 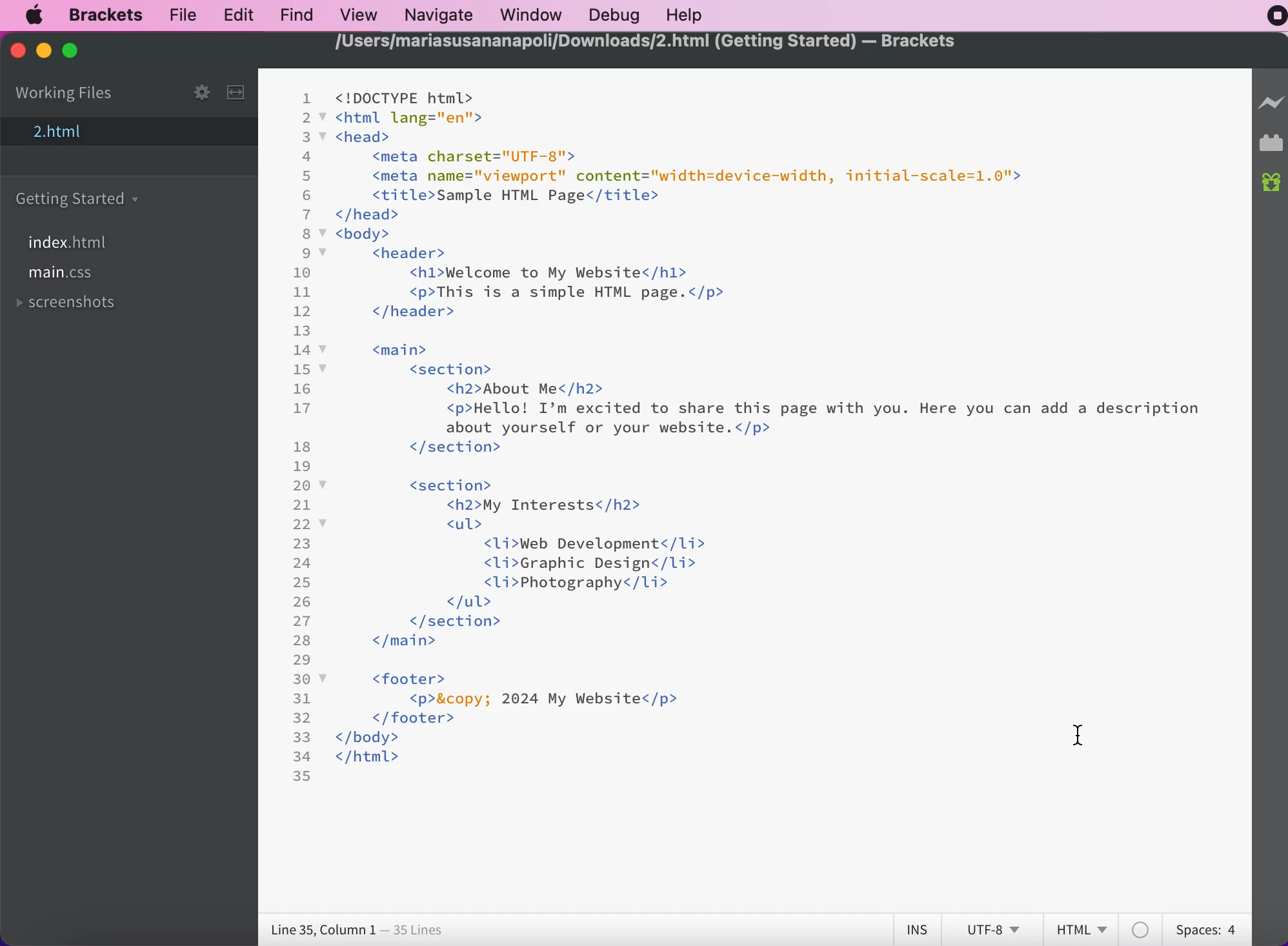 What do you see at coordinates (66, 274) in the screenshot?
I see `file main.css` at bounding box center [66, 274].